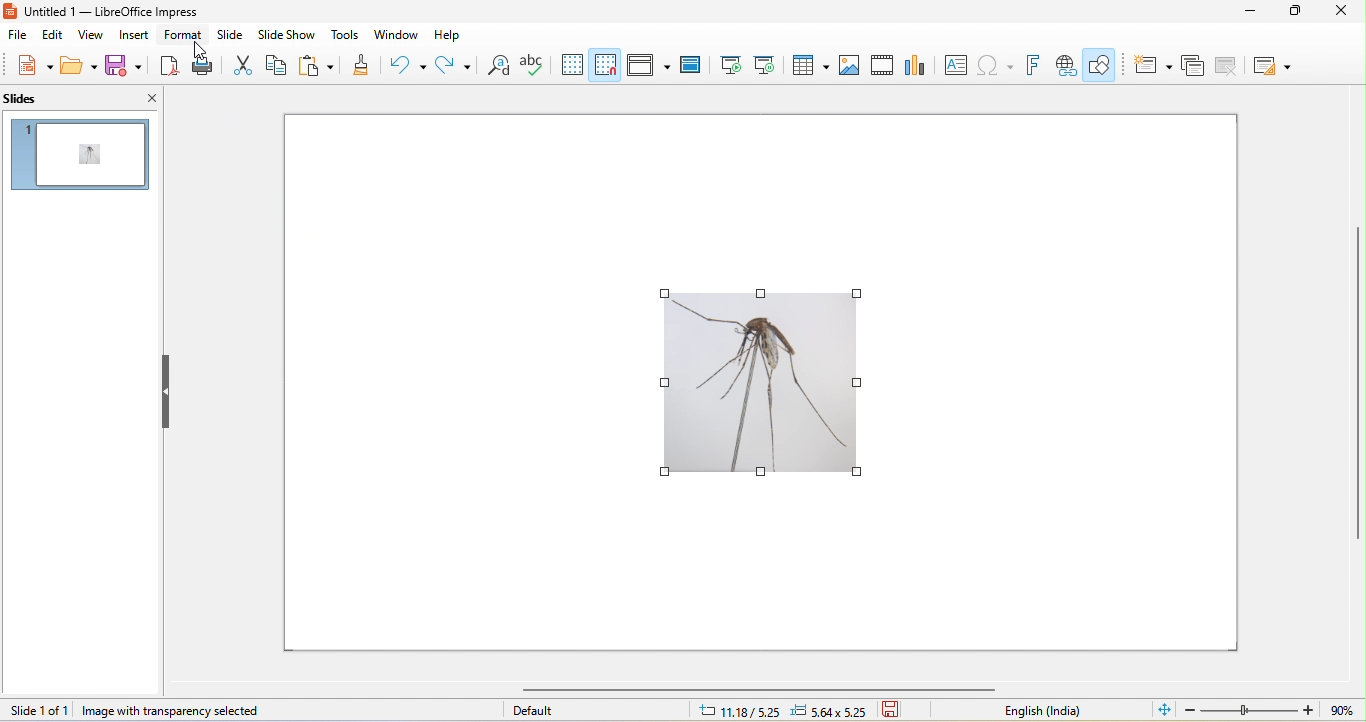 The width and height of the screenshot is (1366, 722). Describe the element at coordinates (1165, 709) in the screenshot. I see `fit to window` at that location.